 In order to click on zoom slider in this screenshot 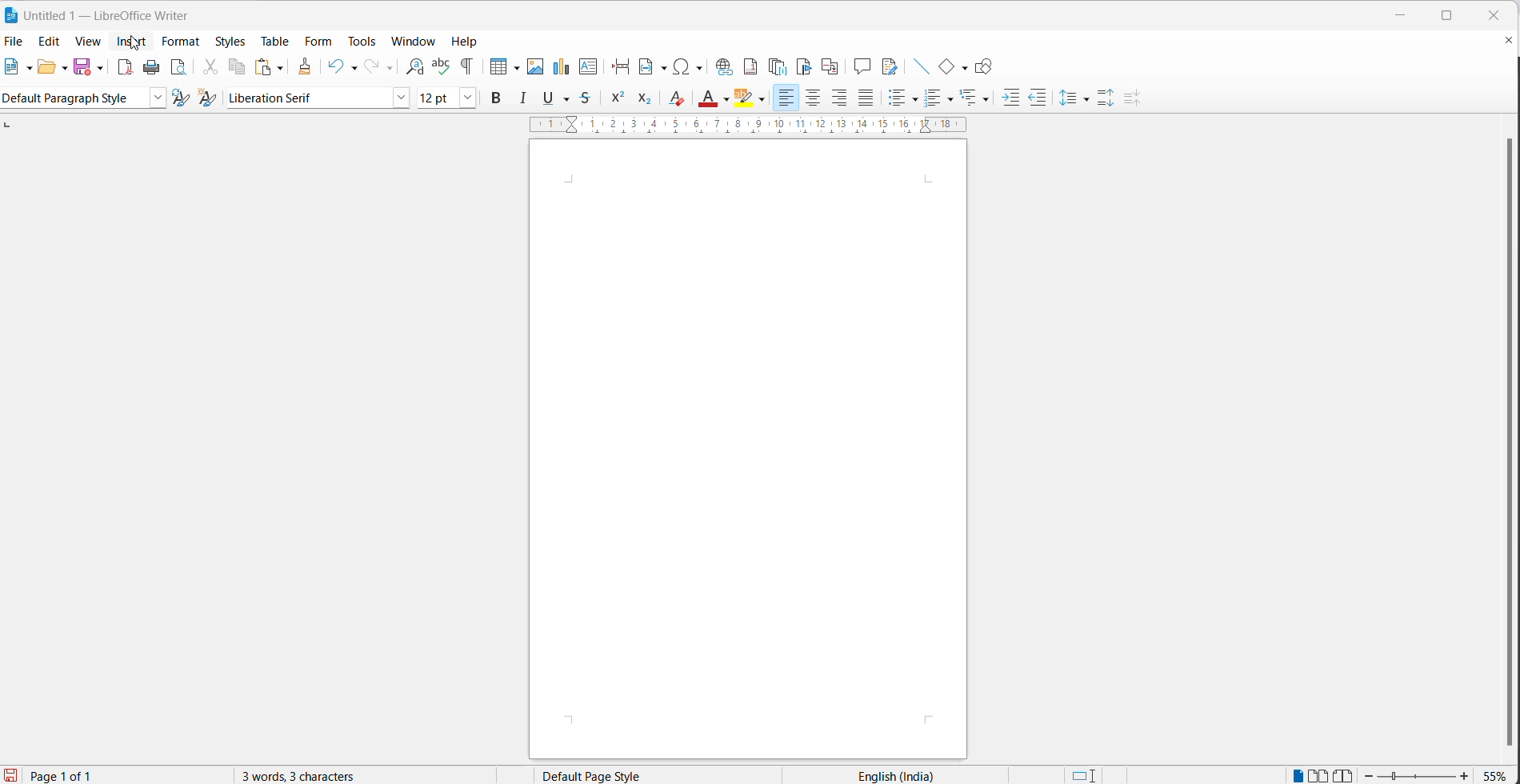, I will do `click(1417, 777)`.